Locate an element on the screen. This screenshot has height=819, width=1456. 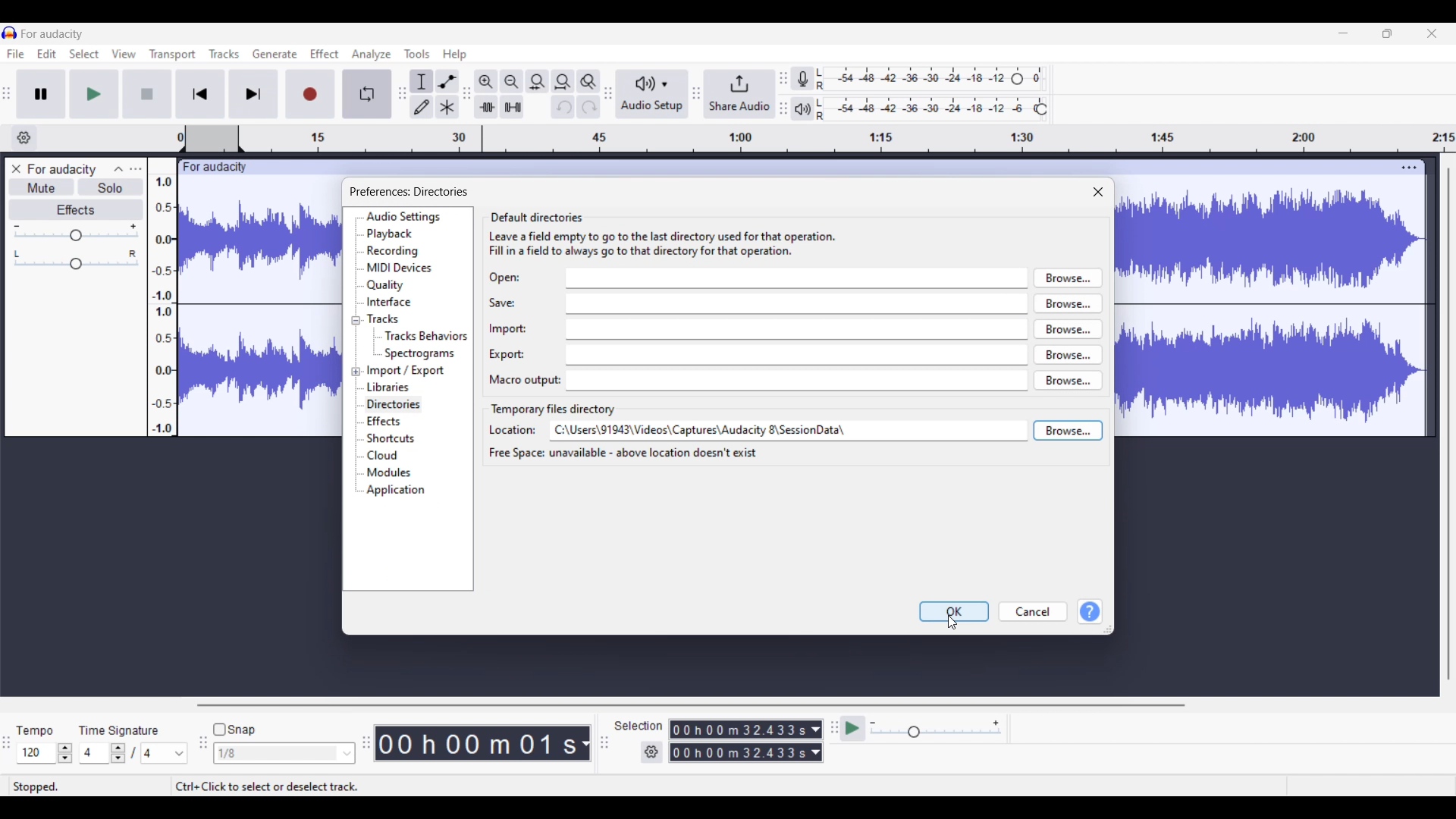
Close is located at coordinates (1099, 192).